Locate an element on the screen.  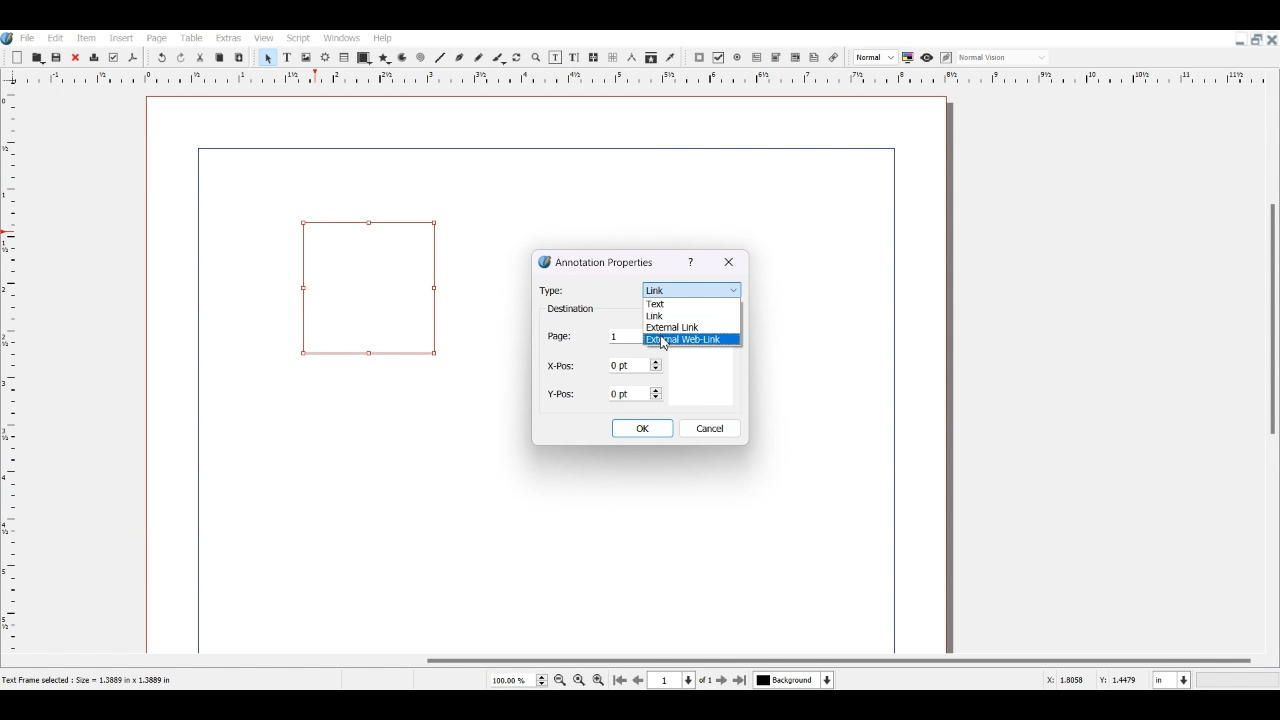
Zoom to 100% is located at coordinates (579, 679).